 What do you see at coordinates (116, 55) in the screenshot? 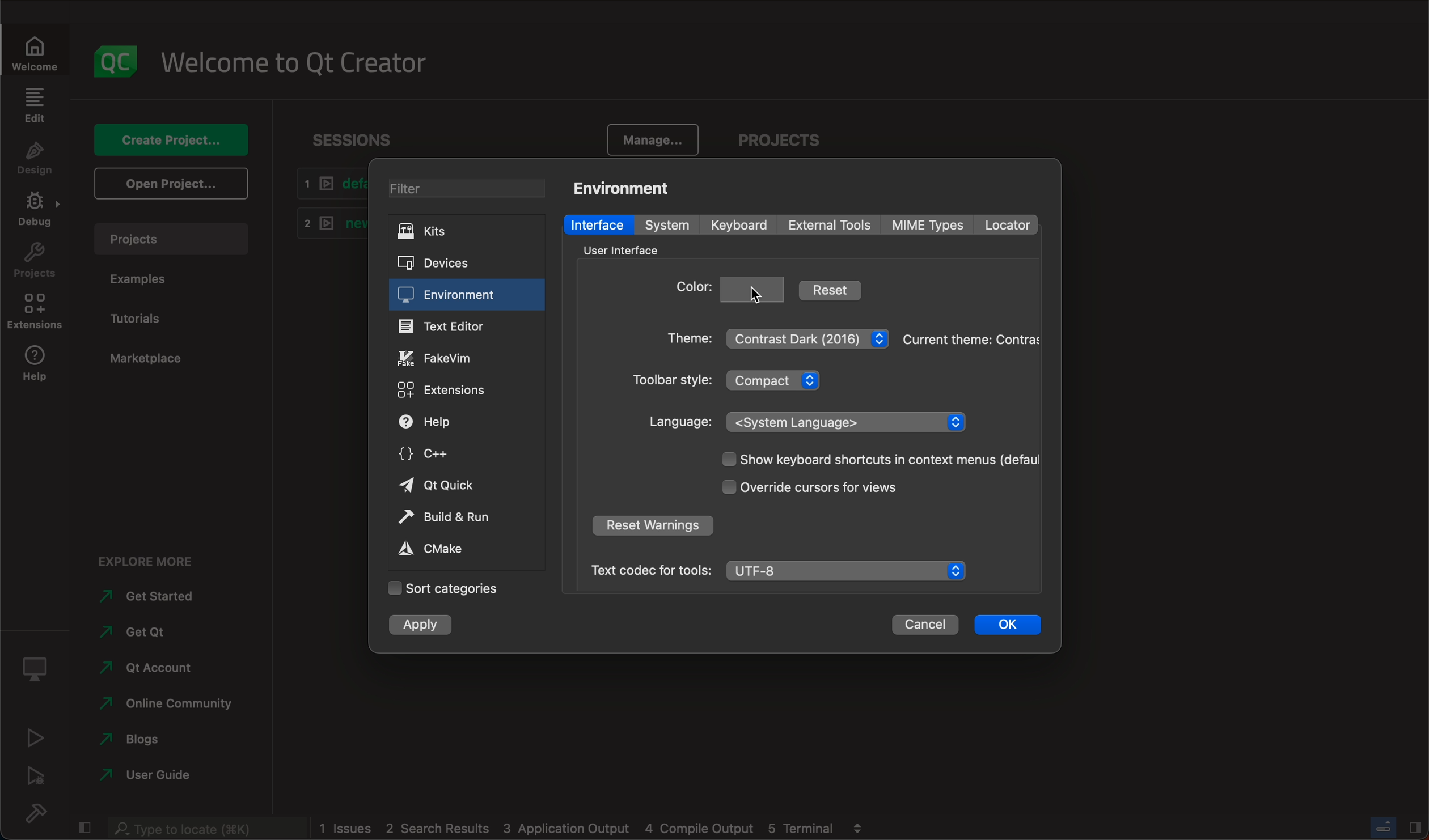
I see `logo` at bounding box center [116, 55].